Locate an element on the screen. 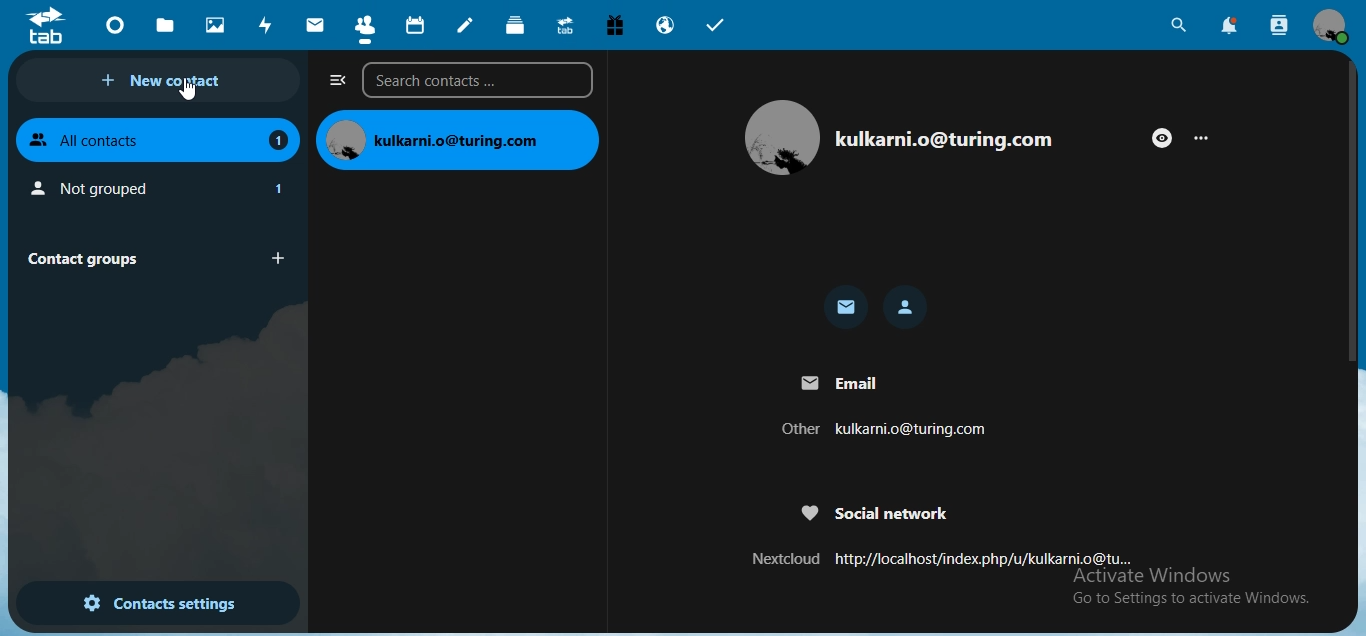 Image resolution: width=1366 pixels, height=636 pixels. close navigation is located at coordinates (334, 81).